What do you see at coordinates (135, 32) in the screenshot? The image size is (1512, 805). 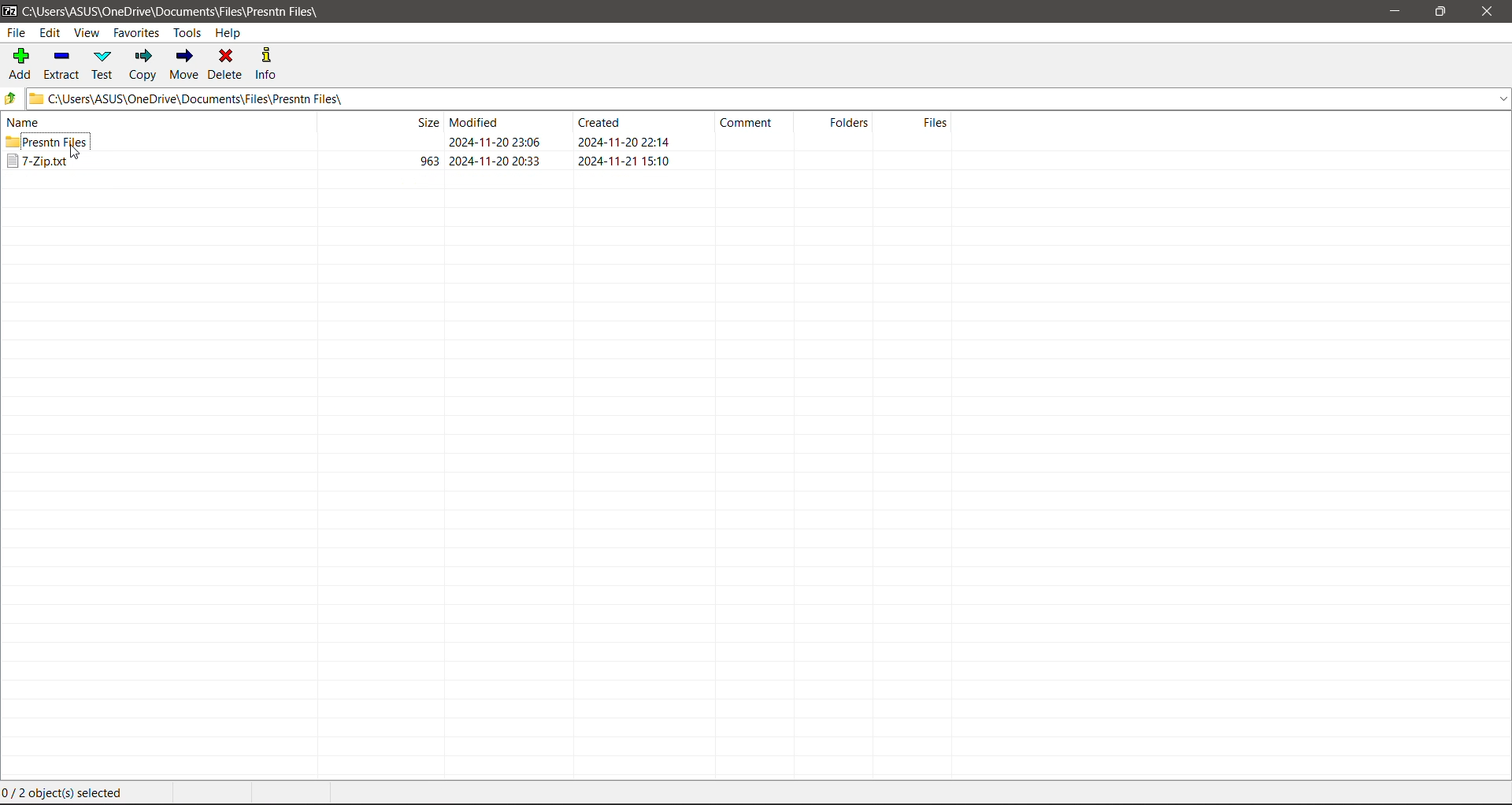 I see `Favorites` at bounding box center [135, 32].